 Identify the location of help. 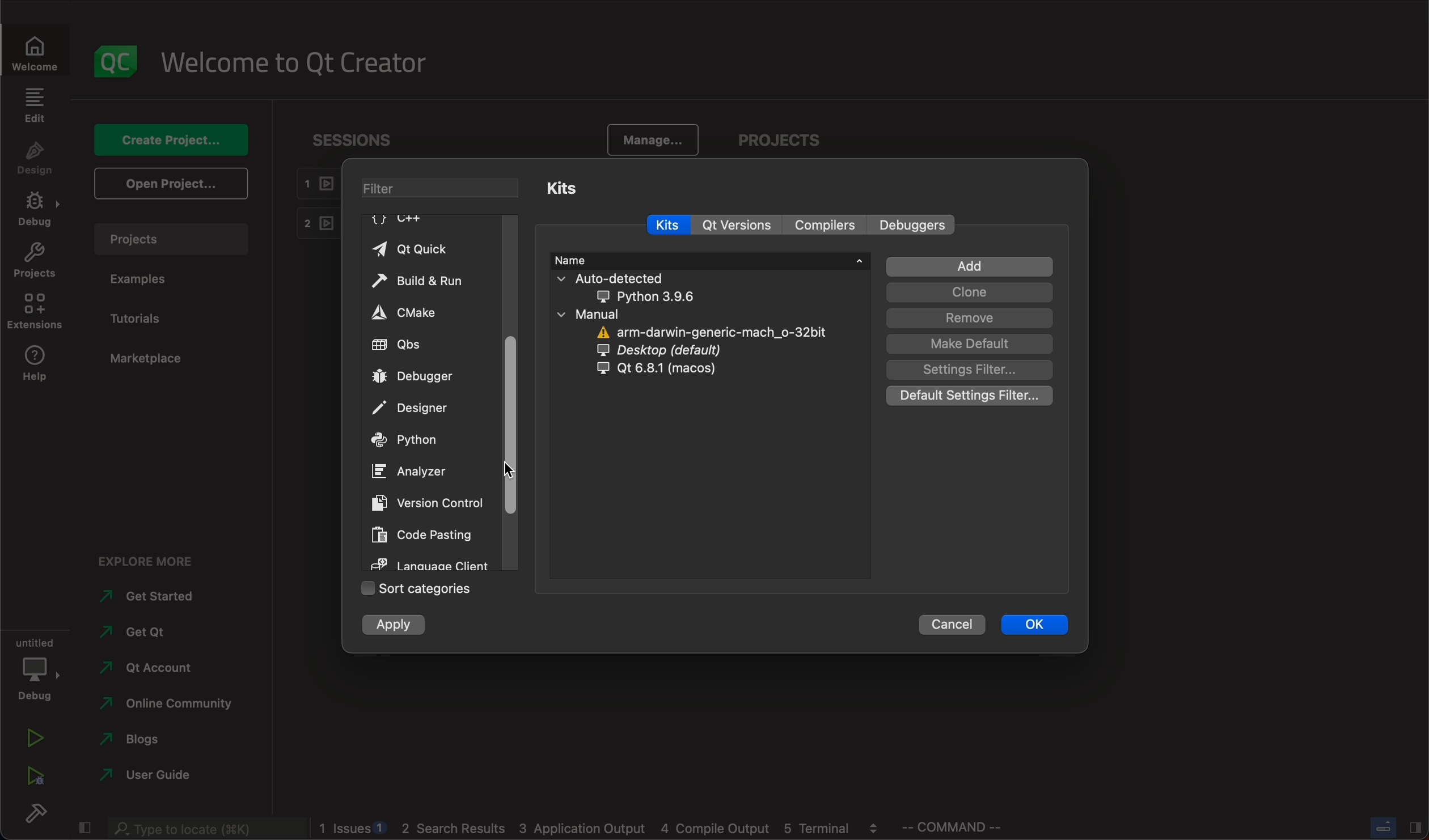
(33, 363).